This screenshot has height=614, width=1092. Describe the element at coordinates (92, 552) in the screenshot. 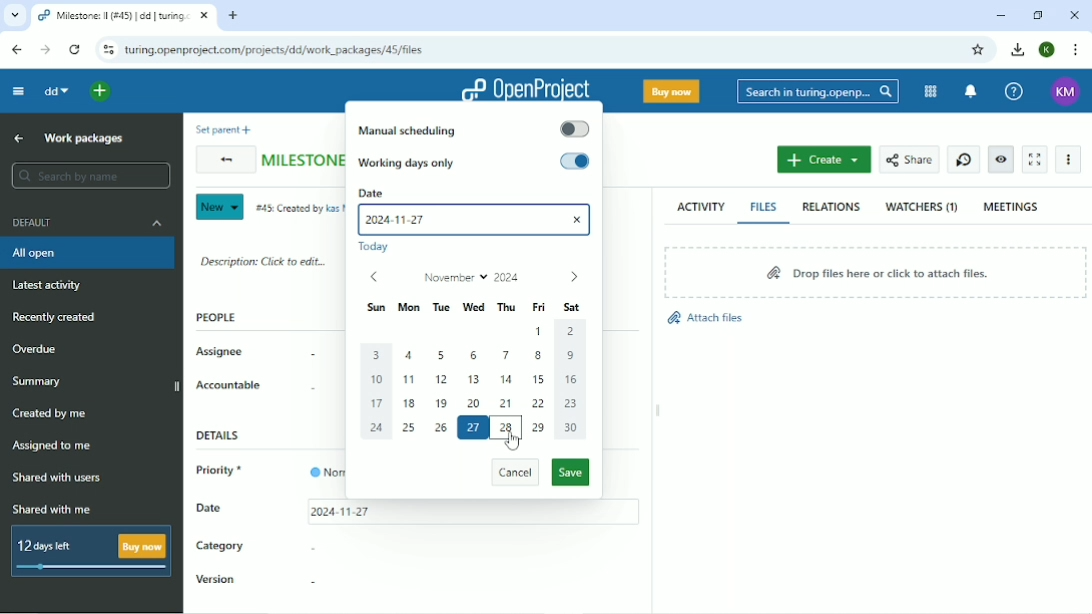

I see `12 days left Buy now` at that location.